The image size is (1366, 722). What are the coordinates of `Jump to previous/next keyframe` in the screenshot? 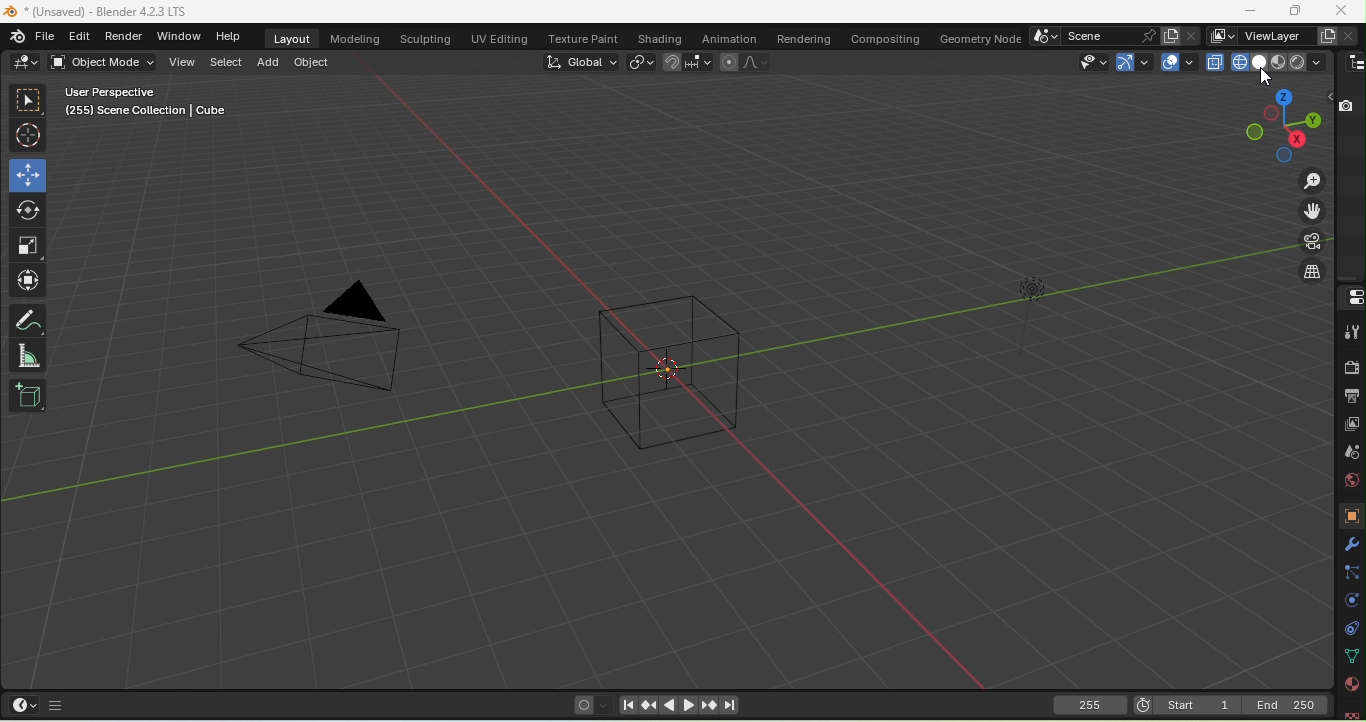 It's located at (647, 706).